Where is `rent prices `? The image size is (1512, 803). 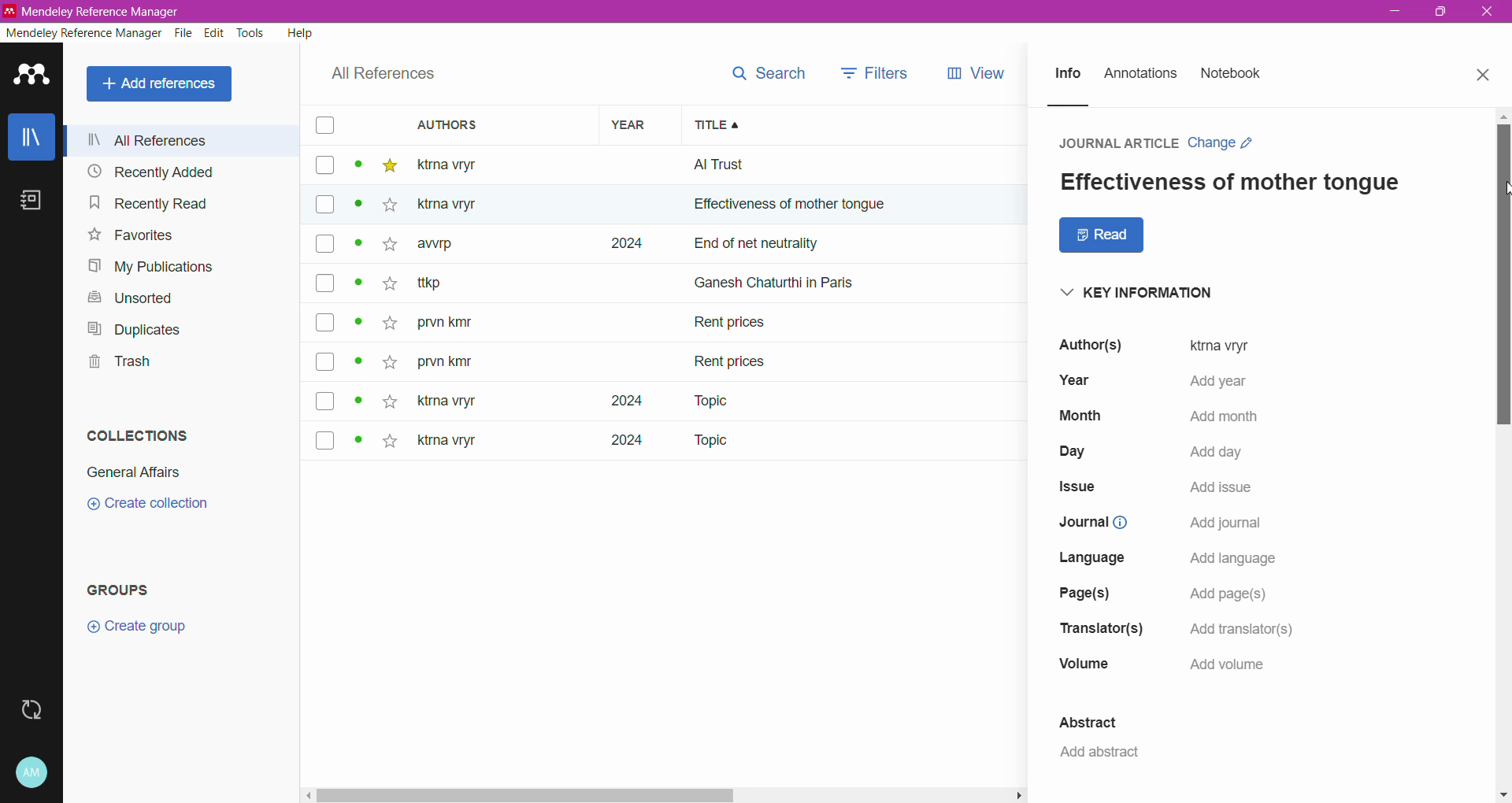 rent prices  is located at coordinates (732, 359).